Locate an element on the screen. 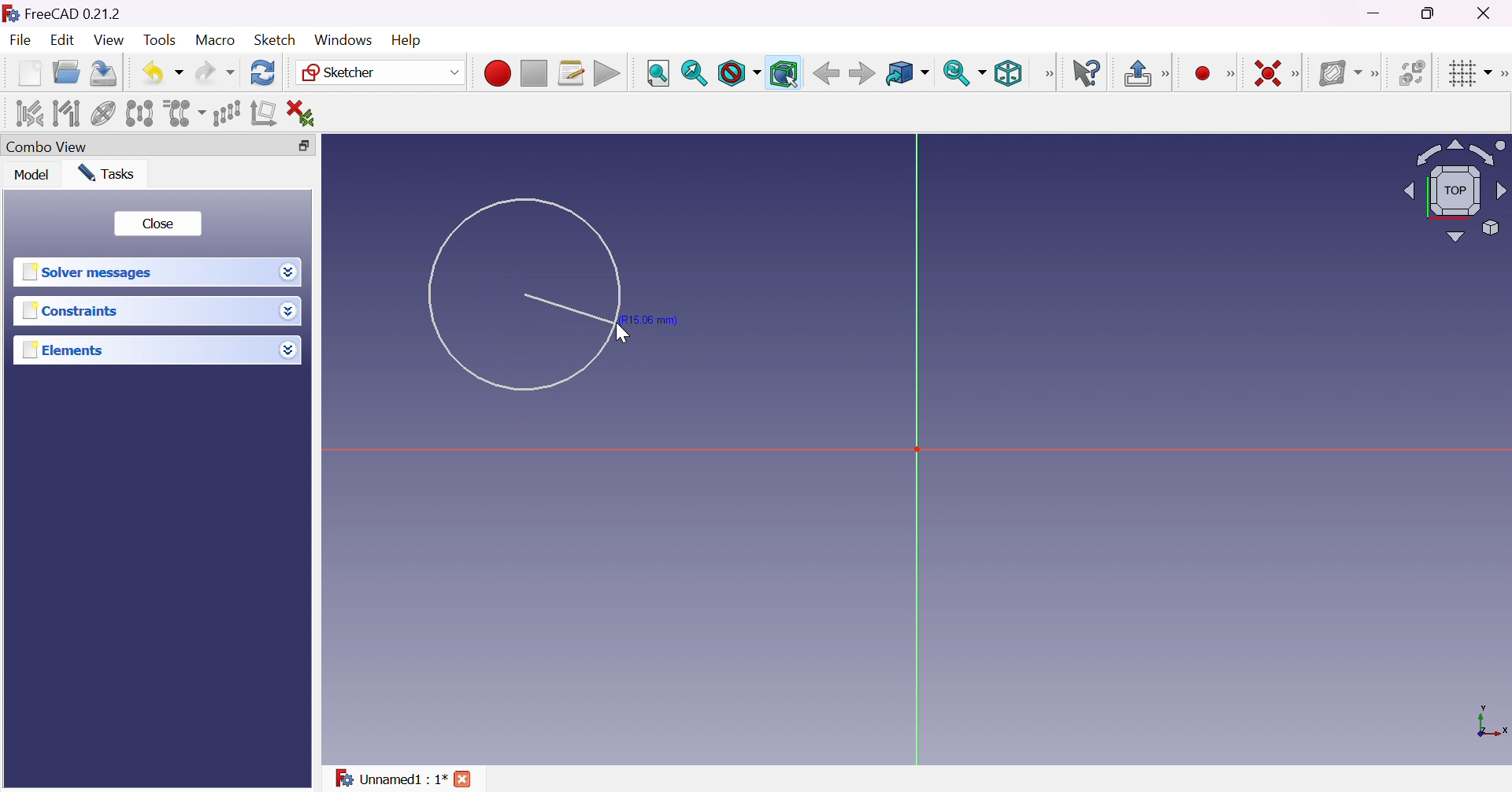 The height and width of the screenshot is (792, 1512). Bounding box is located at coordinates (785, 74).